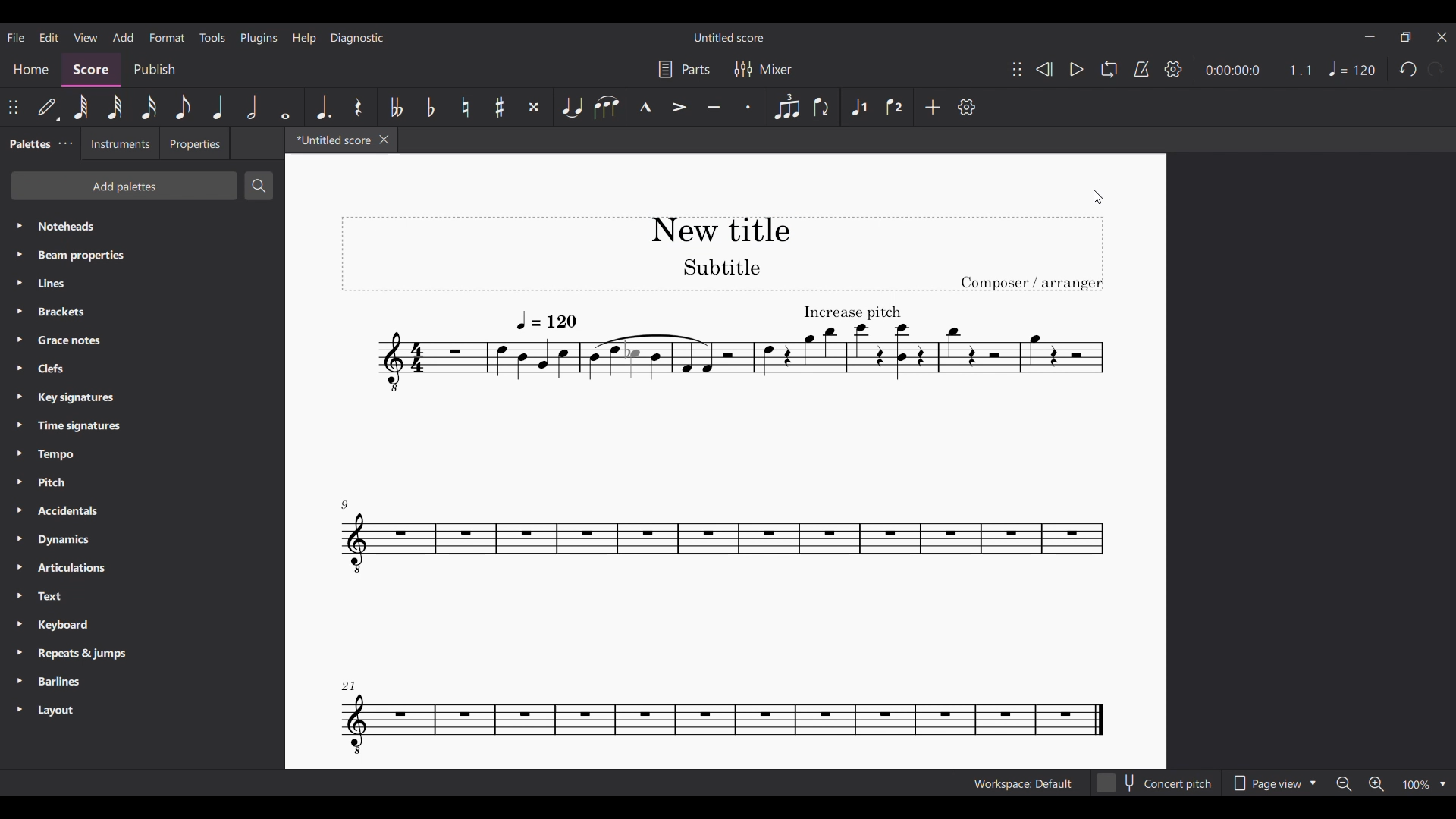 This screenshot has width=1456, height=819. Describe the element at coordinates (142, 510) in the screenshot. I see `Accidentals` at that location.